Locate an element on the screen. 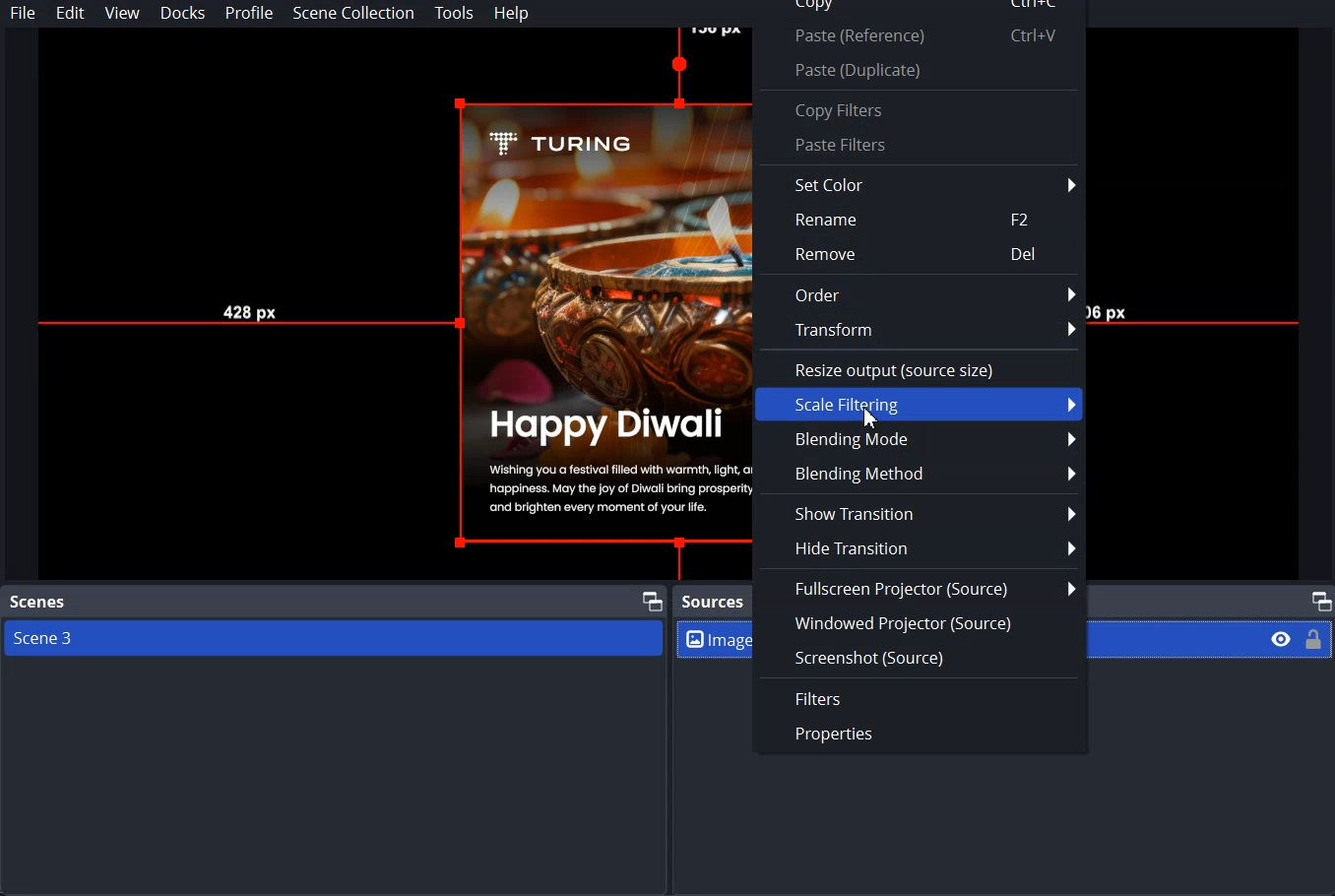  Edit is located at coordinates (70, 14).